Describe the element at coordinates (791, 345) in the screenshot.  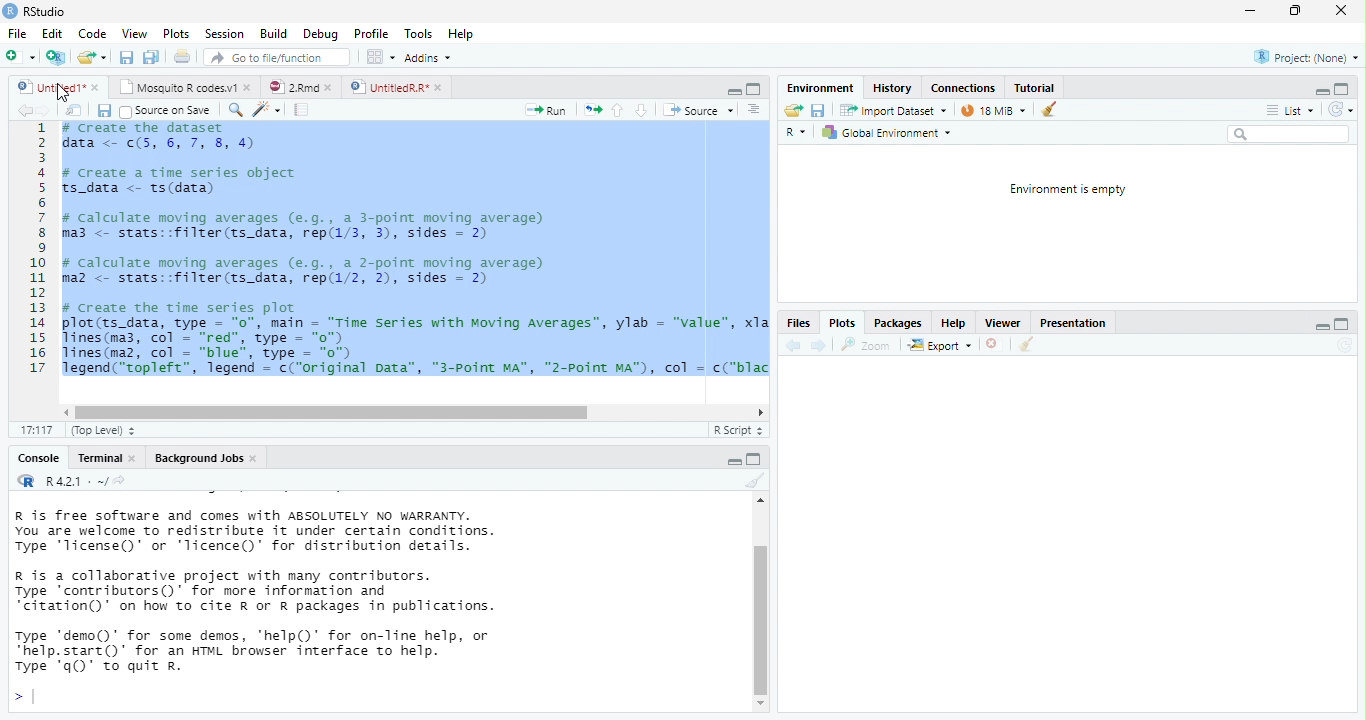
I see `back` at that location.